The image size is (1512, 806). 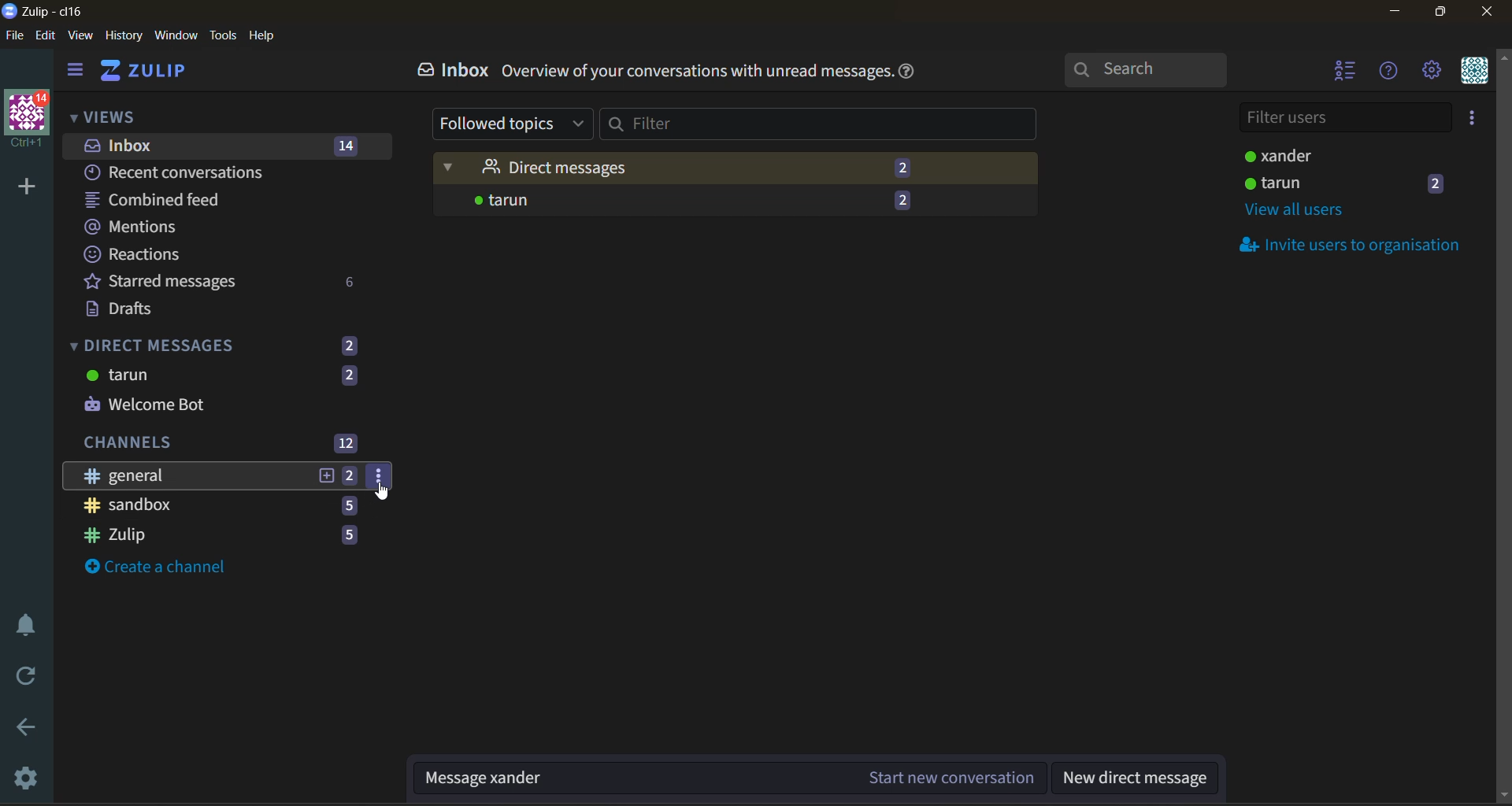 What do you see at coordinates (1503, 425) in the screenshot?
I see `Scroll bar` at bounding box center [1503, 425].